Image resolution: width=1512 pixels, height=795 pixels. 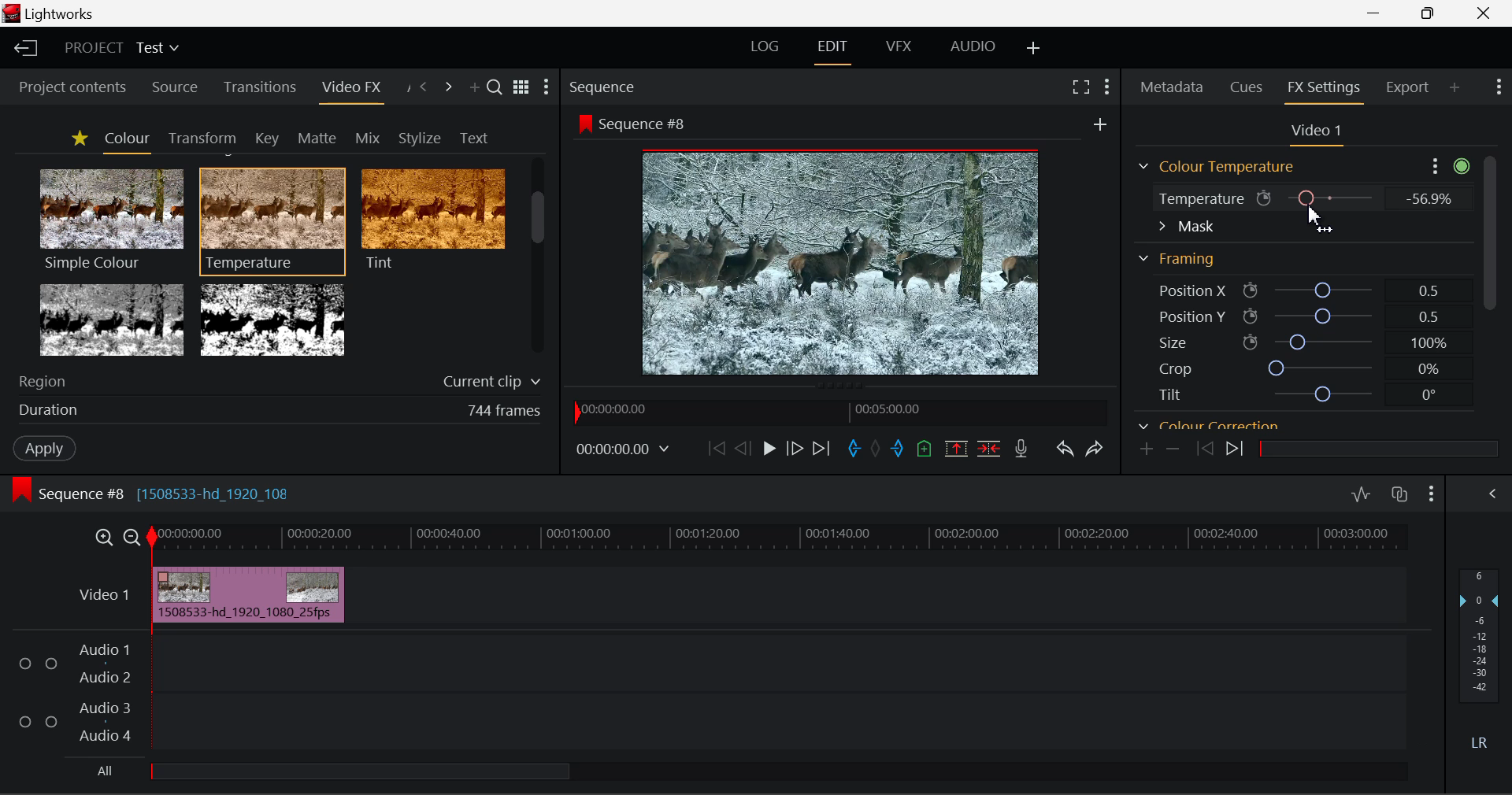 I want to click on Effect Added, so click(x=250, y=594).